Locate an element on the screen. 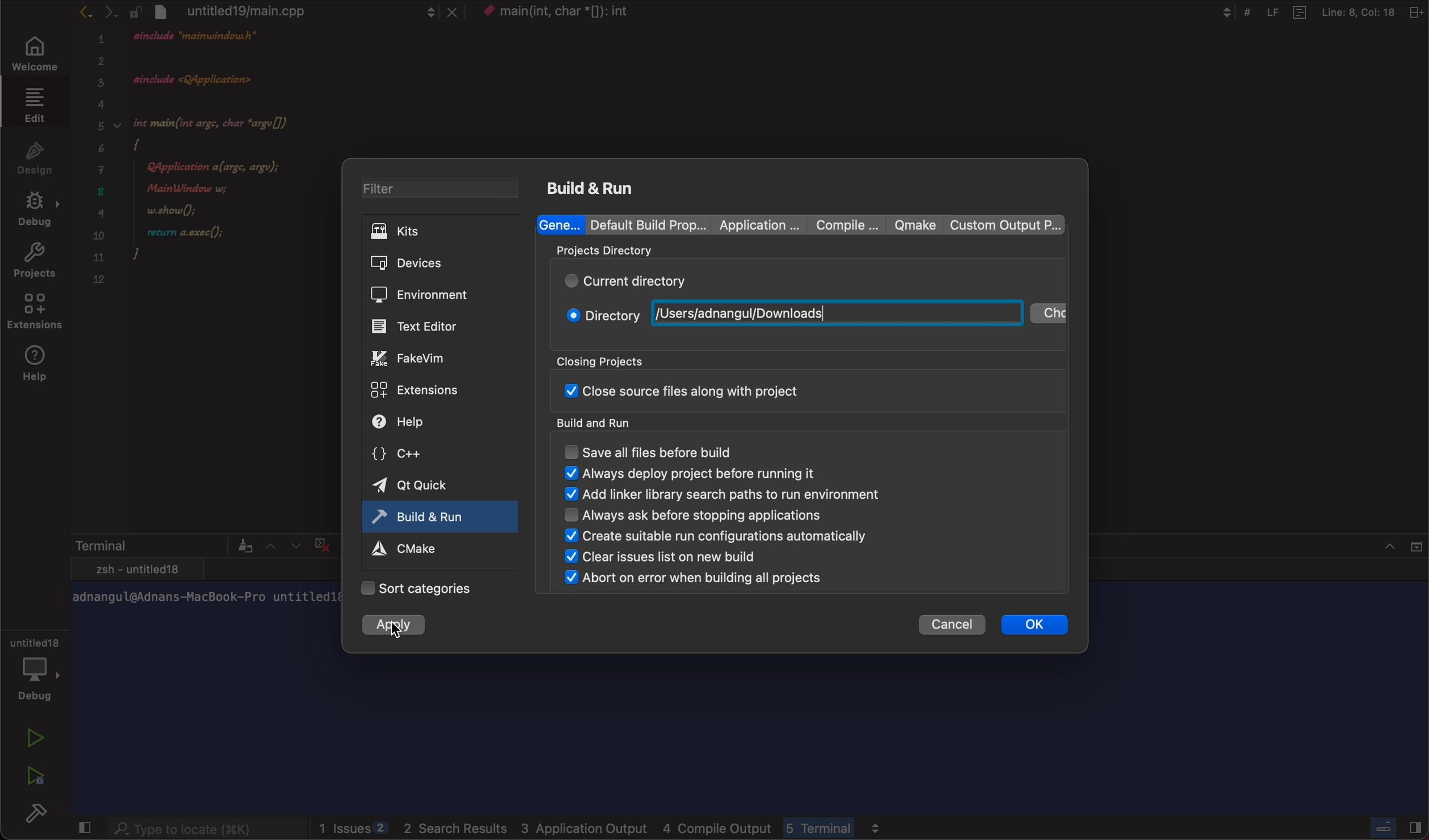 The image size is (1429, 840). fake vim is located at coordinates (424, 359).